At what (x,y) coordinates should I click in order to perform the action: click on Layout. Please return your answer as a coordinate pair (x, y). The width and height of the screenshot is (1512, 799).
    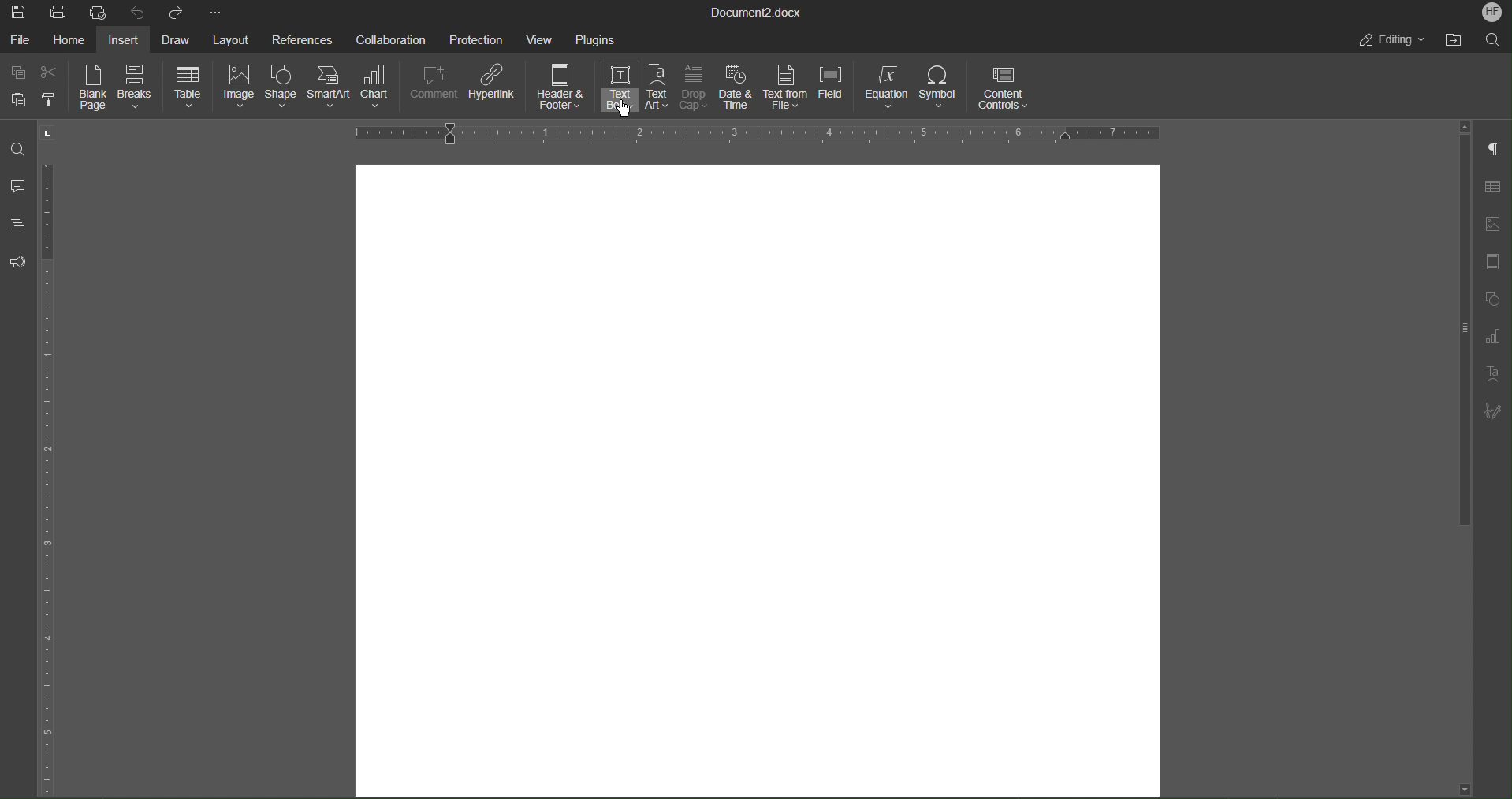
    Looking at the image, I should click on (229, 39).